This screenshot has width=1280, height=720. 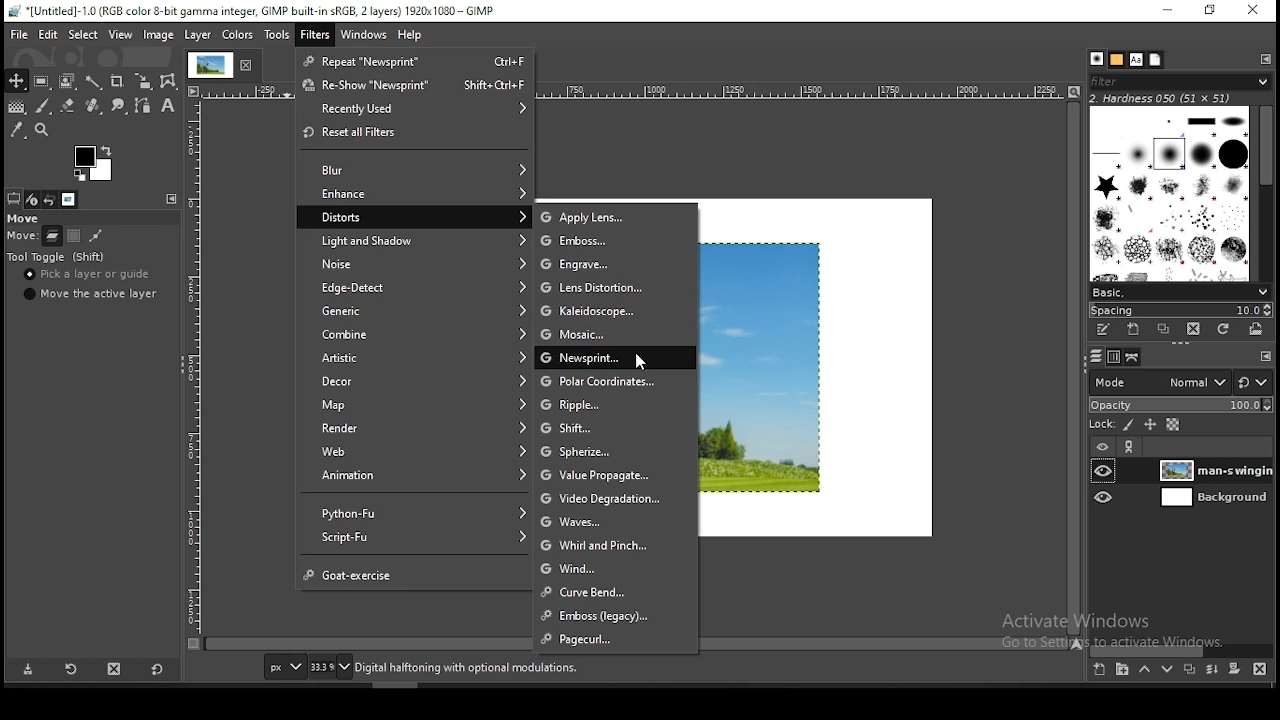 What do you see at coordinates (414, 451) in the screenshot?
I see `web` at bounding box center [414, 451].